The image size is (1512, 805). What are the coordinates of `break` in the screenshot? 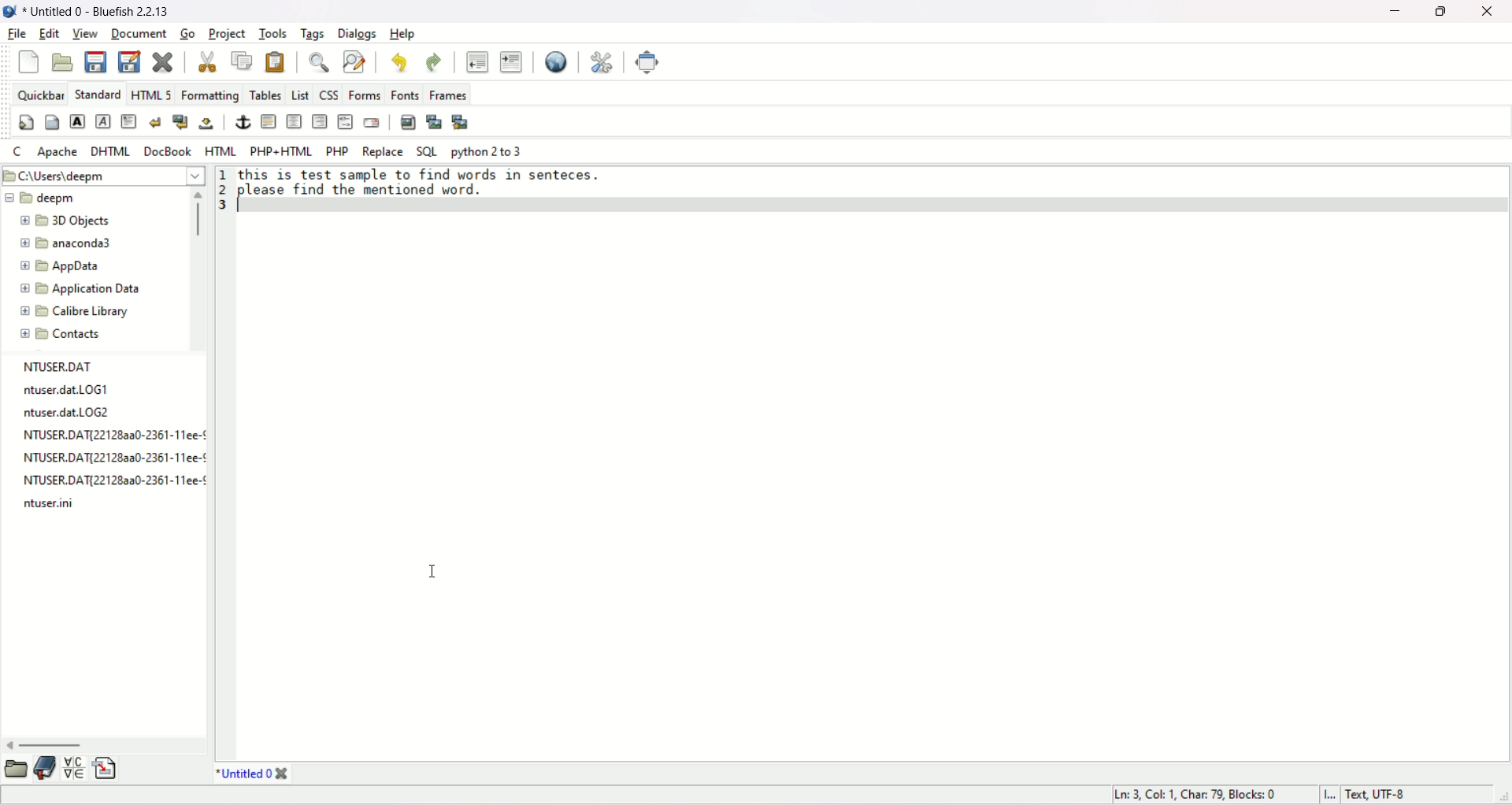 It's located at (157, 124).